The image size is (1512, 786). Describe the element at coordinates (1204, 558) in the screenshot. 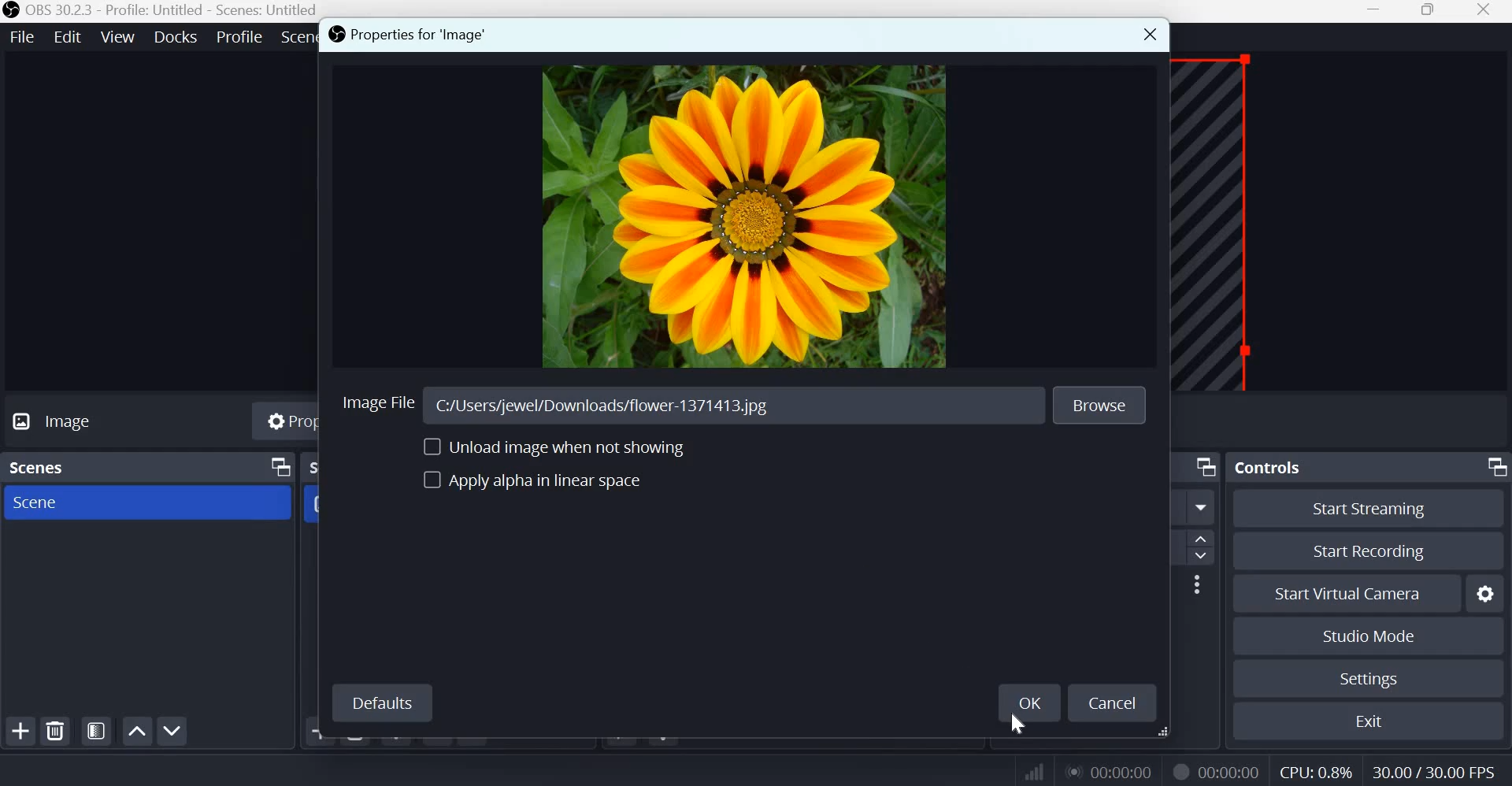

I see `Decrease` at that location.